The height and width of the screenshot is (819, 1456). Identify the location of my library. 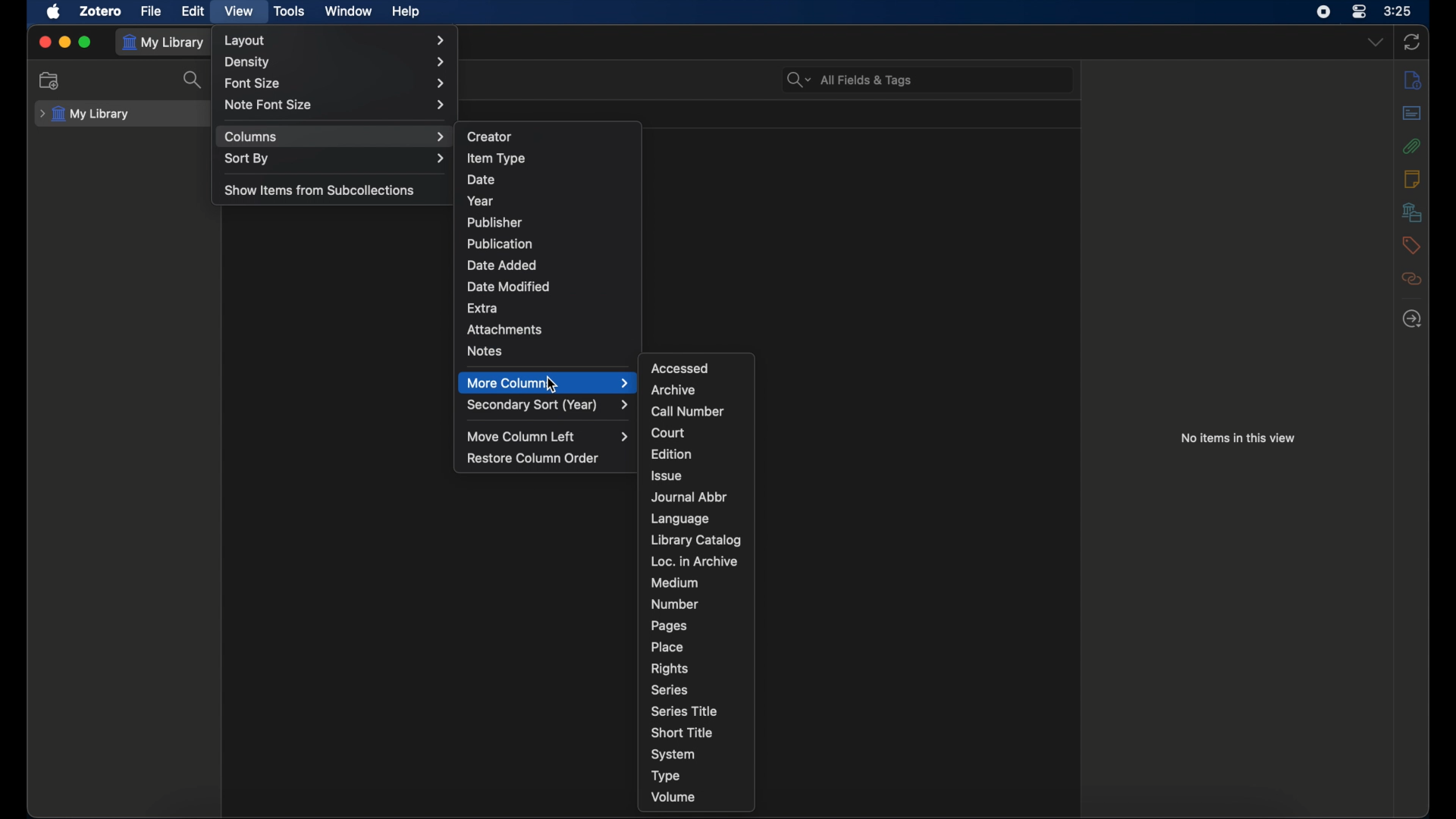
(164, 42).